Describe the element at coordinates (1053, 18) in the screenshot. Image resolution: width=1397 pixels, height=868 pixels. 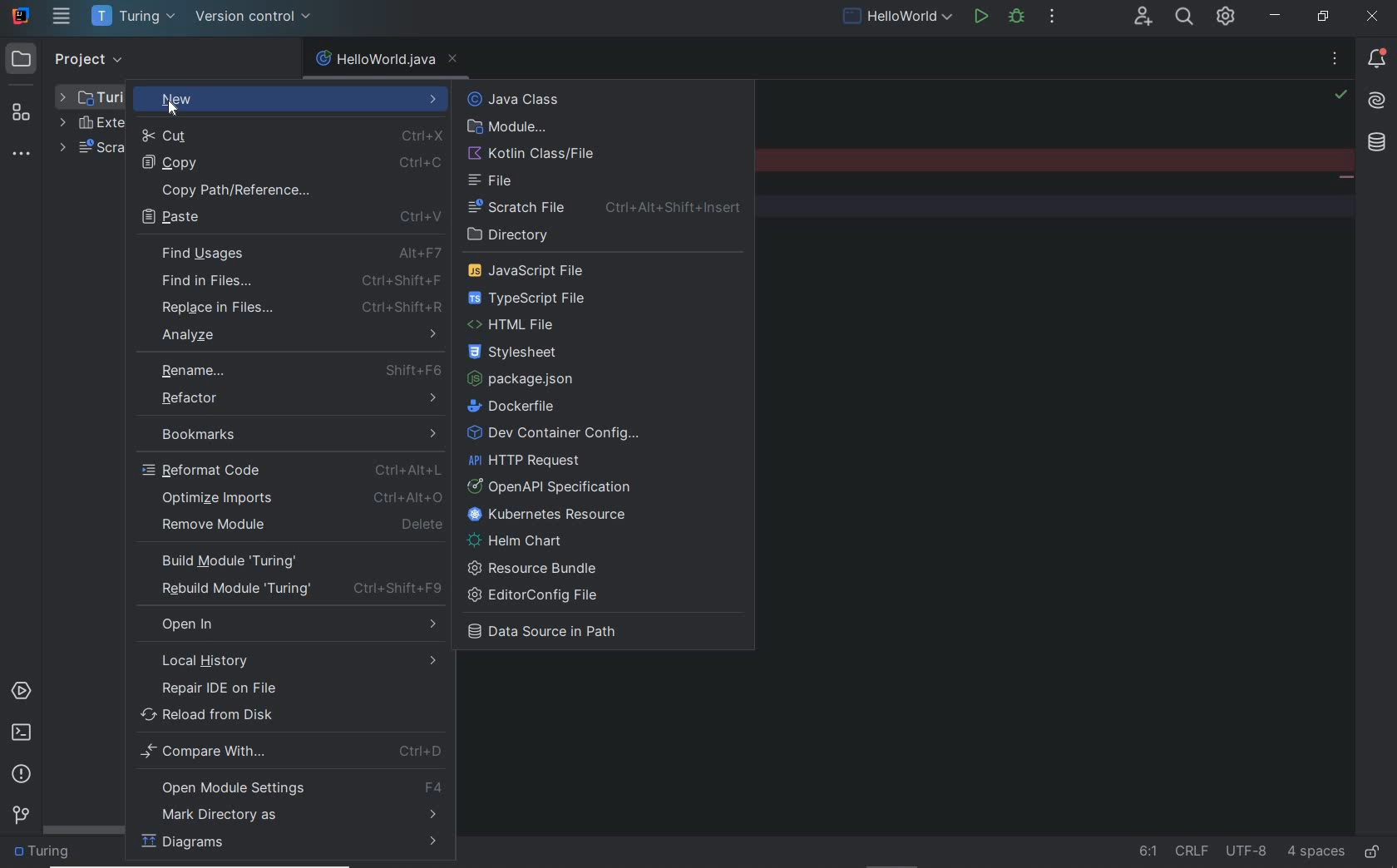
I see `more actions` at that location.